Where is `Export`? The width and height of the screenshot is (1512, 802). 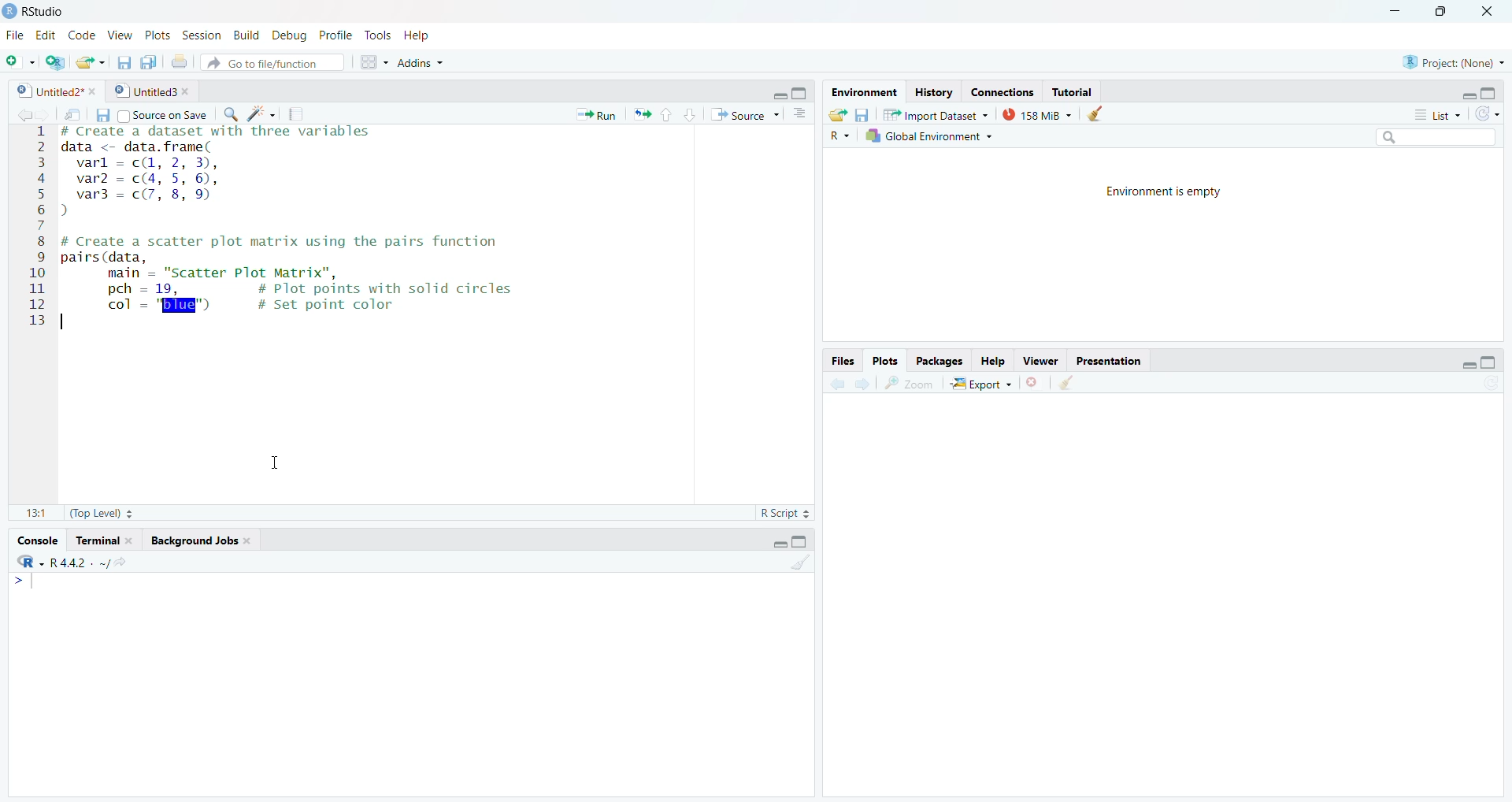 Export is located at coordinates (979, 384).